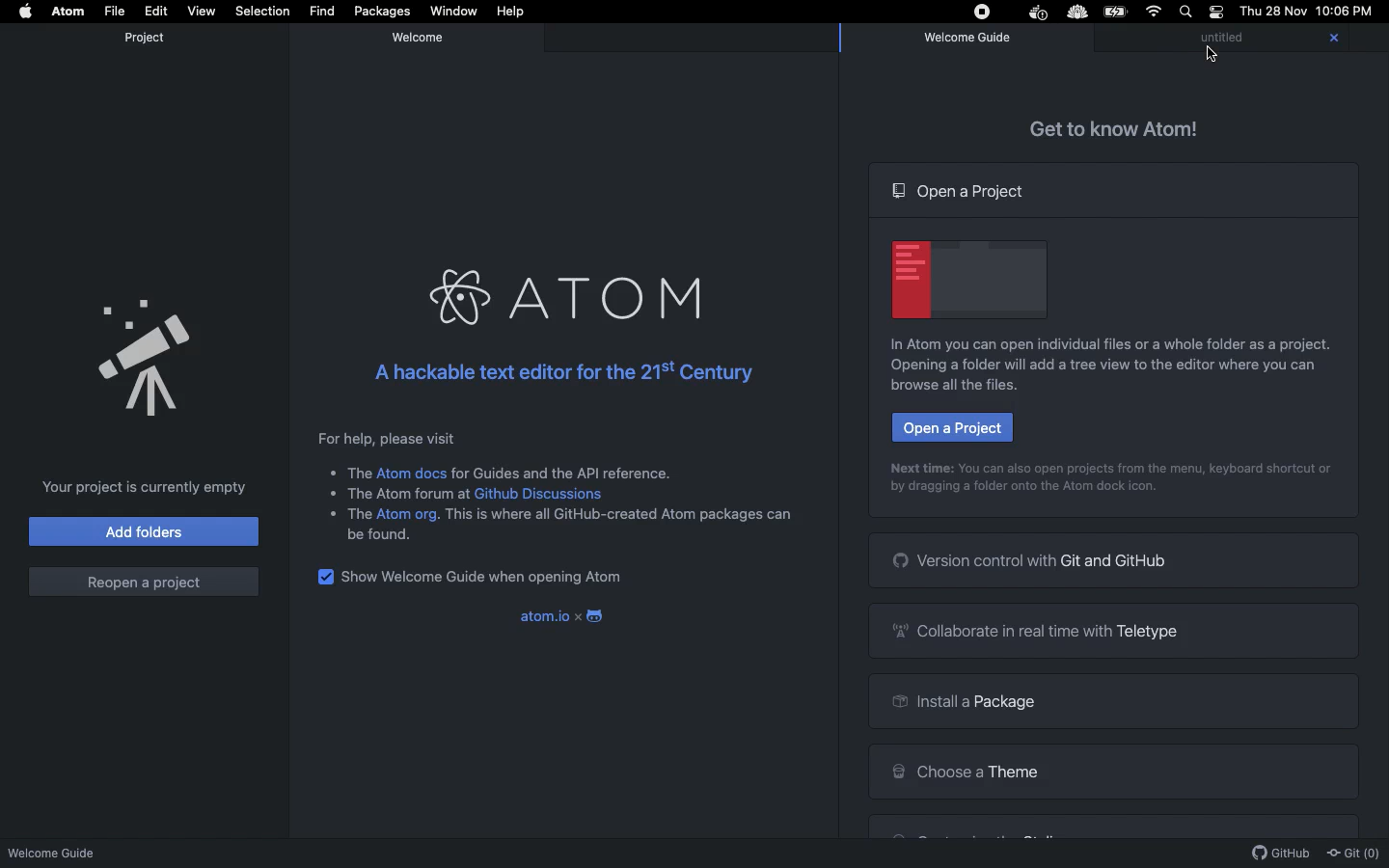  Describe the element at coordinates (1035, 14) in the screenshot. I see `Docker` at that location.